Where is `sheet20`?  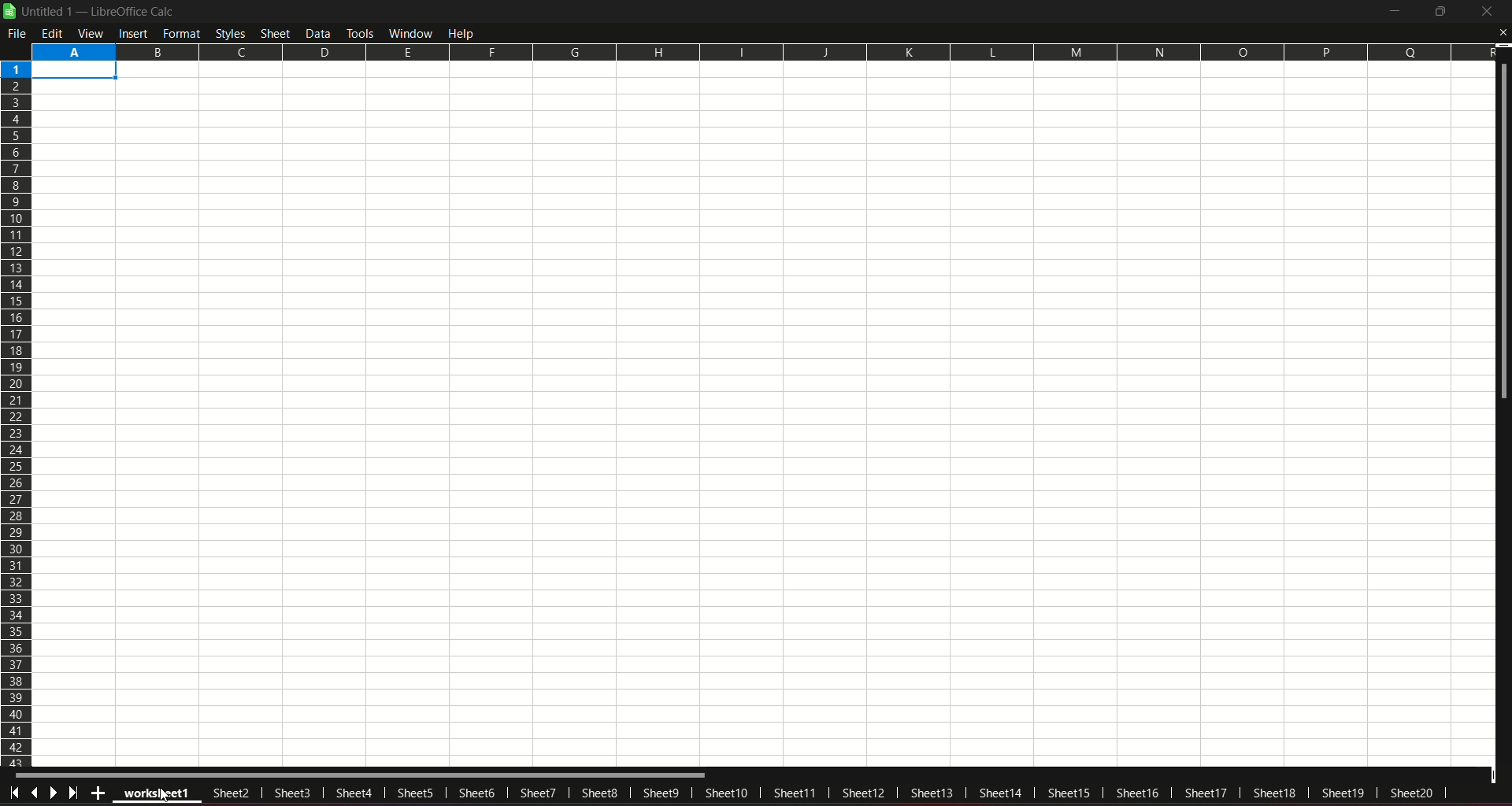 sheet20 is located at coordinates (1416, 795).